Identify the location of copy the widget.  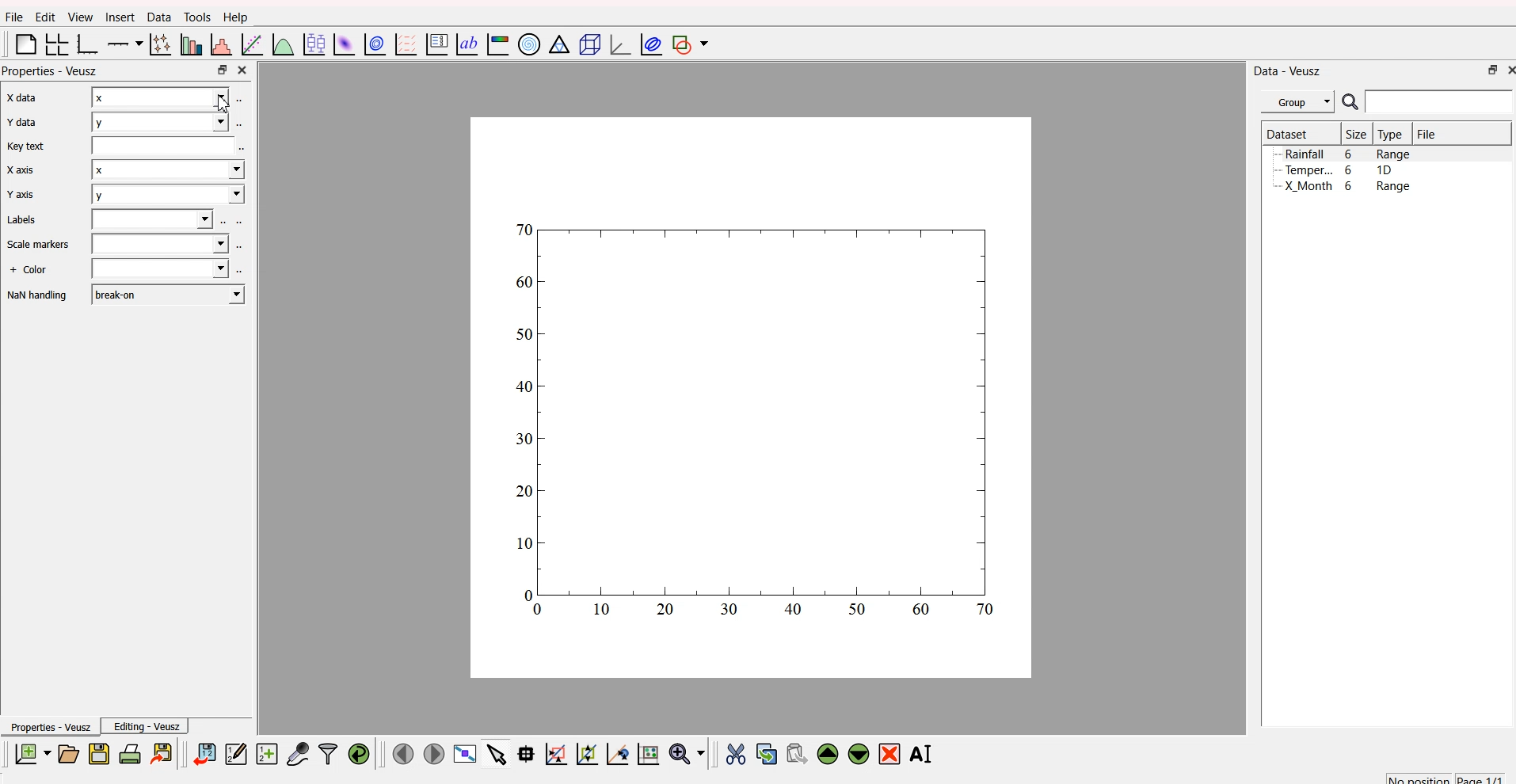
(766, 752).